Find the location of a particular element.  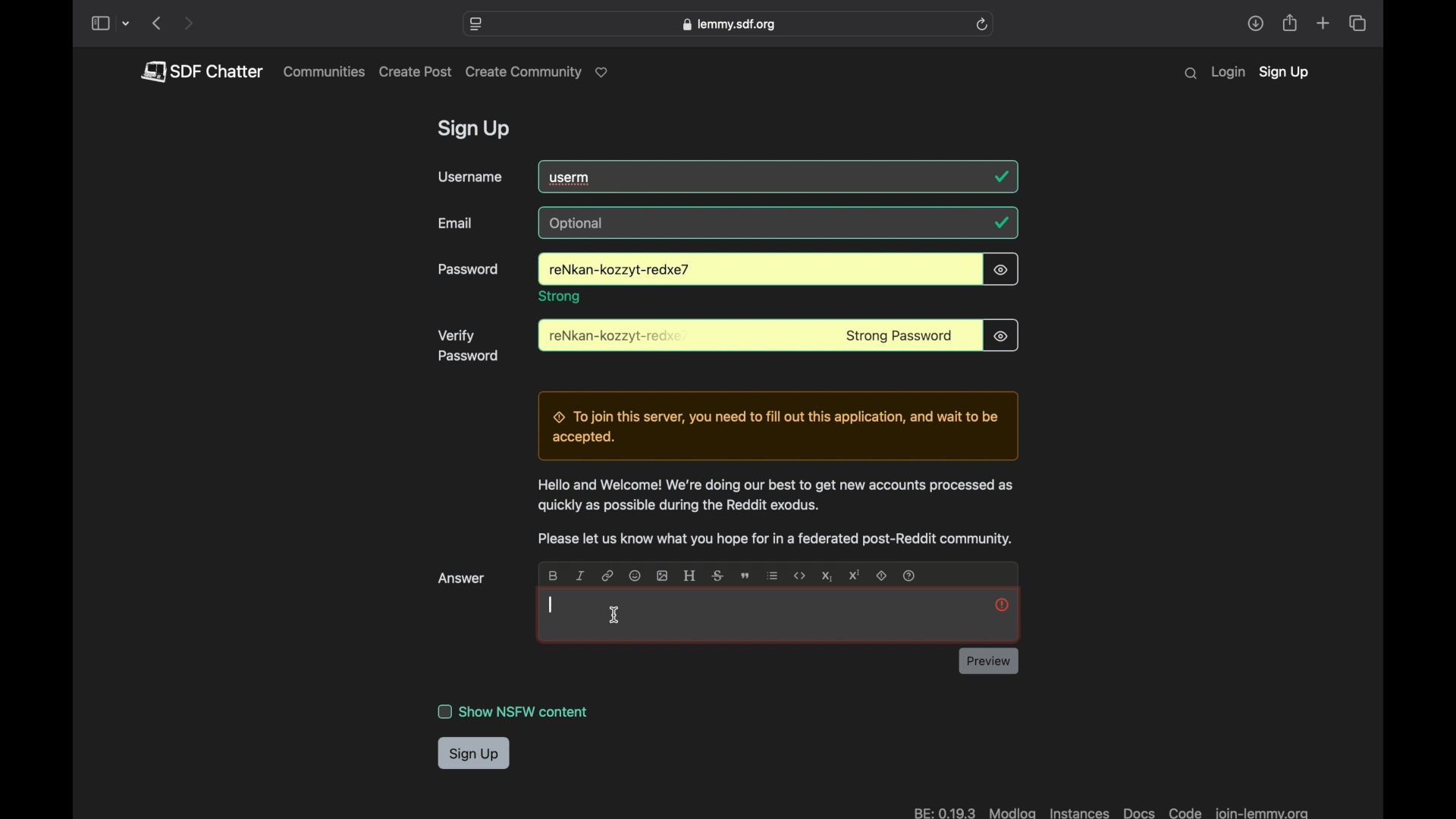

review is located at coordinates (988, 661).